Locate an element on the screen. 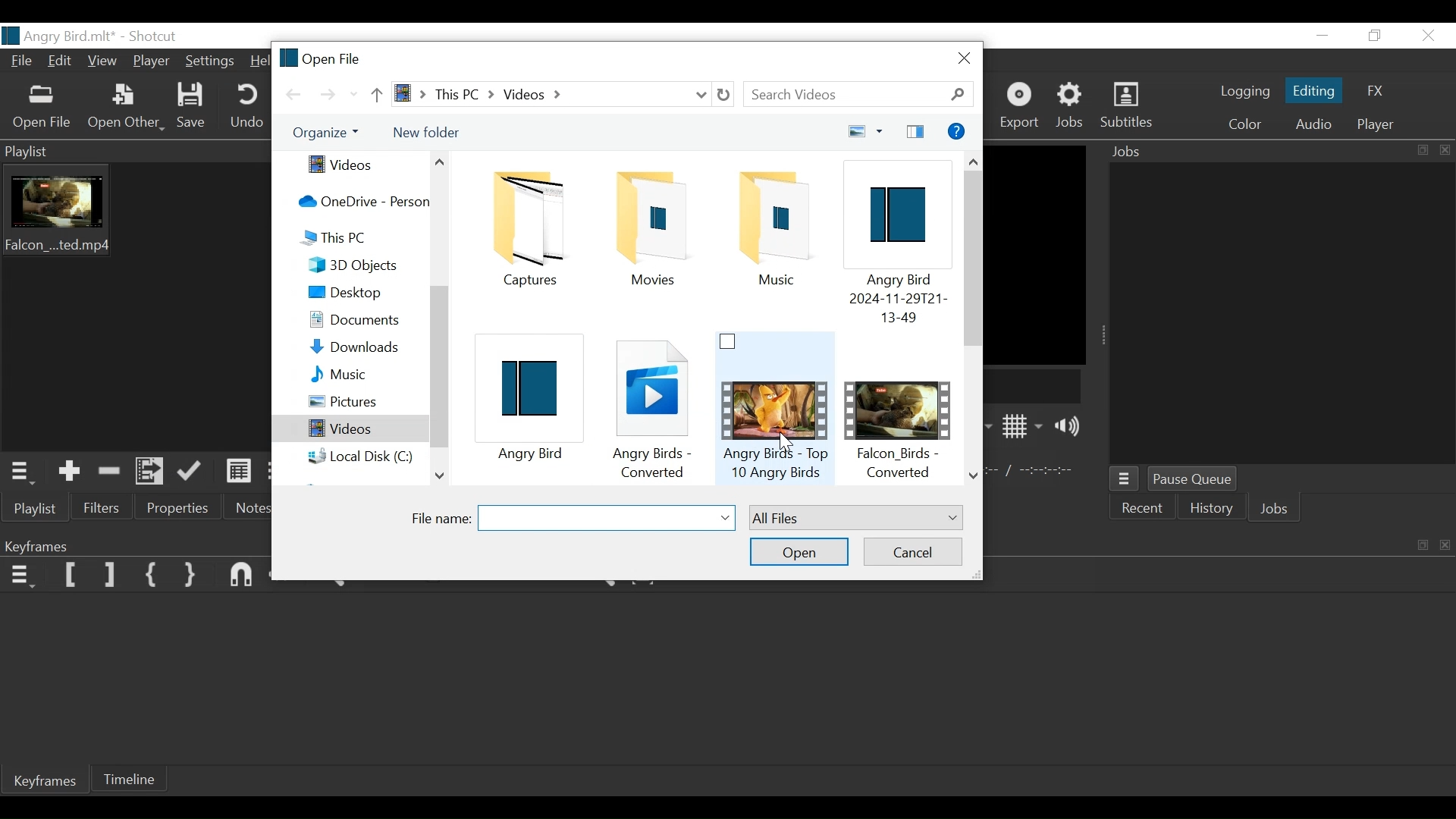 The width and height of the screenshot is (1456, 819). View as detail is located at coordinates (240, 472).